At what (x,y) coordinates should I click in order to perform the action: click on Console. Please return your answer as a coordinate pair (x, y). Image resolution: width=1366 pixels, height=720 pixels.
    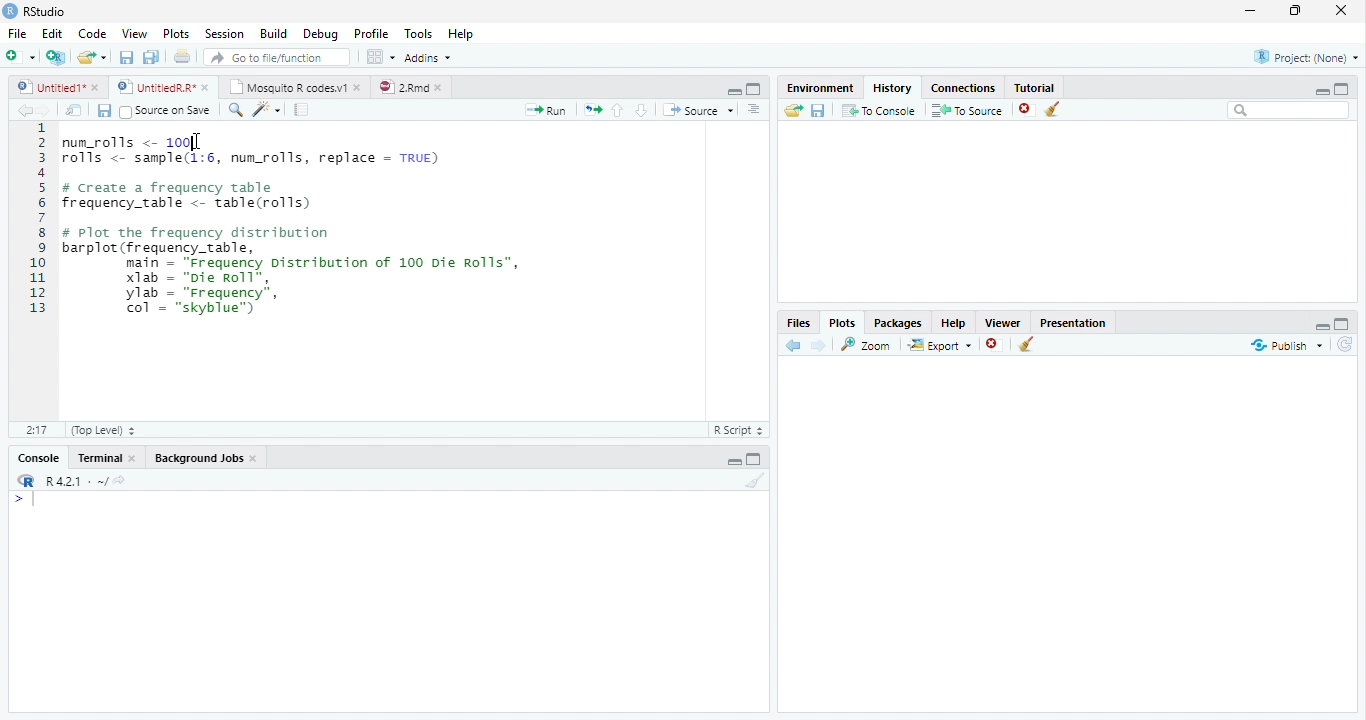
    Looking at the image, I should click on (386, 601).